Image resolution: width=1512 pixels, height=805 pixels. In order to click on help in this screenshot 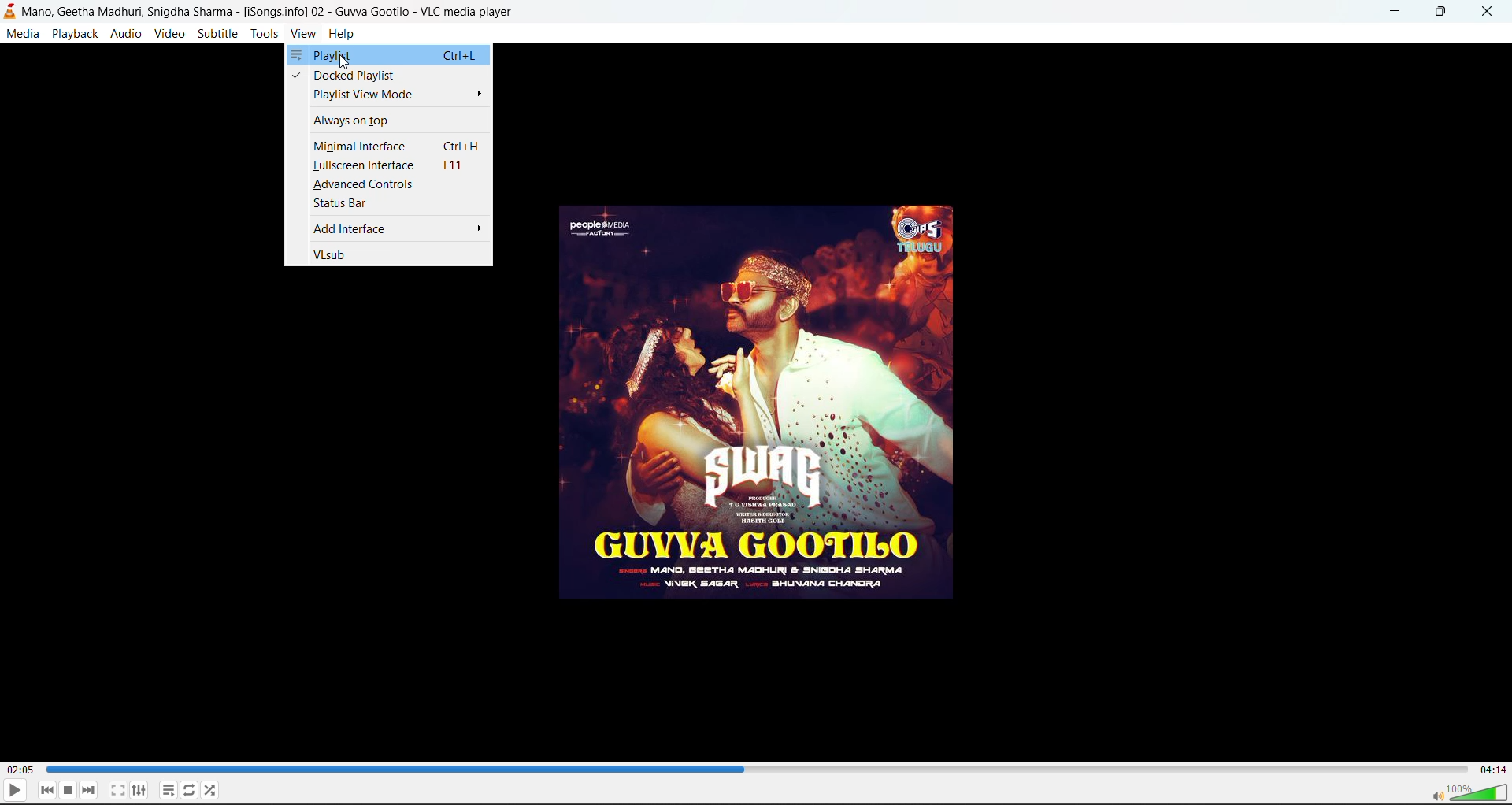, I will do `click(341, 33)`.